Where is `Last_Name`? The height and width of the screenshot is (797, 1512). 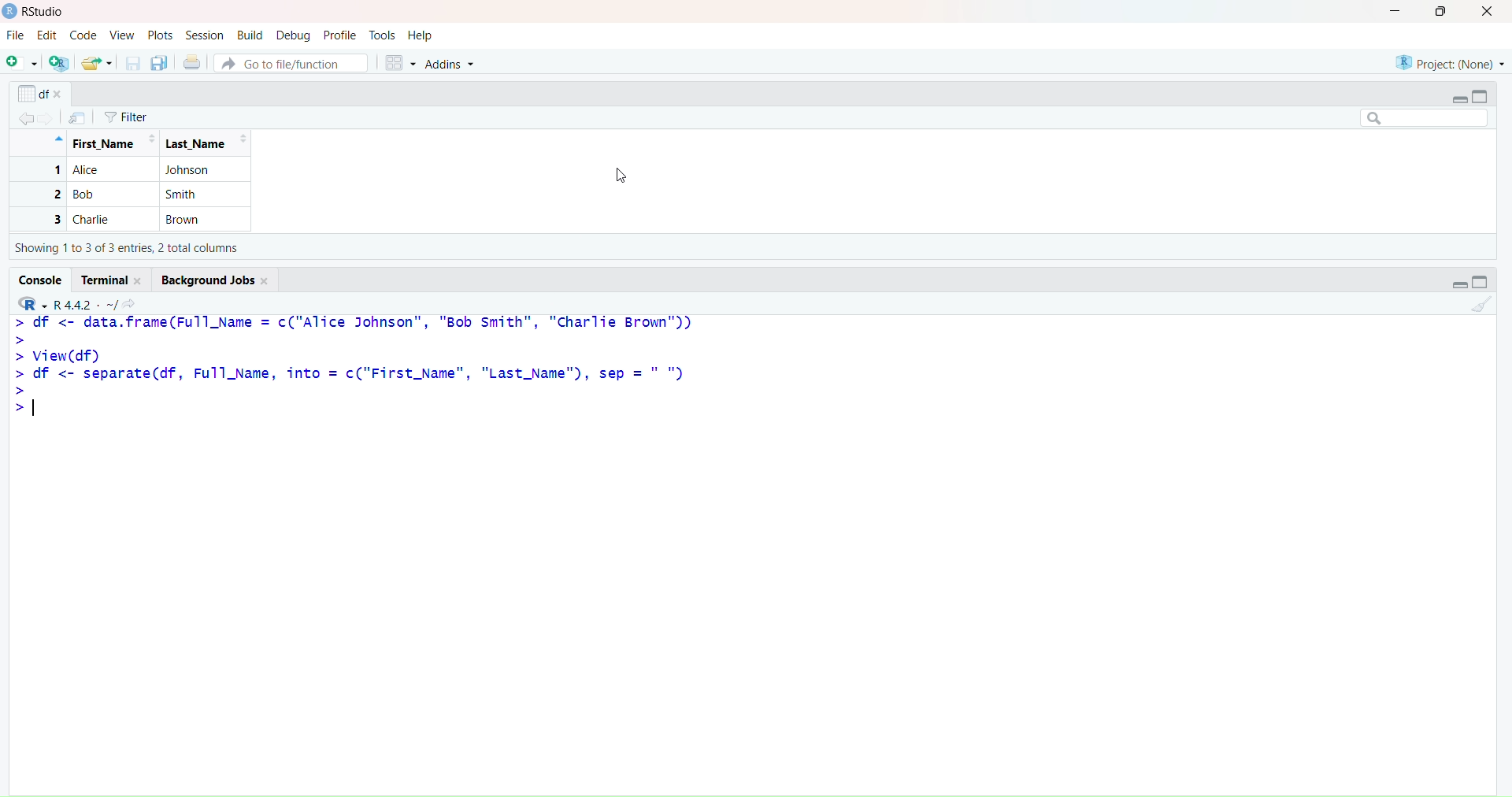
Last_Name is located at coordinates (206, 143).